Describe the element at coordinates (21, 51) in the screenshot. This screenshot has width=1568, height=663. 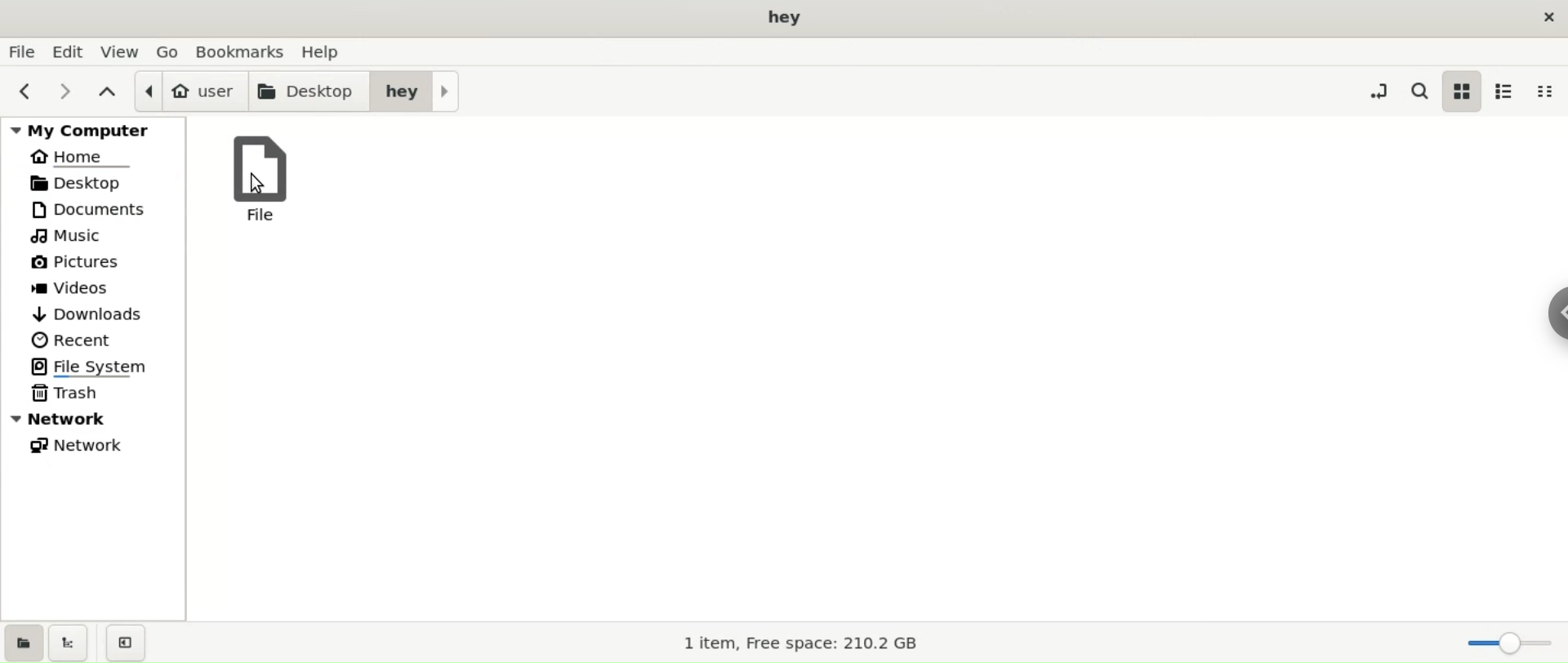
I see `file` at that location.